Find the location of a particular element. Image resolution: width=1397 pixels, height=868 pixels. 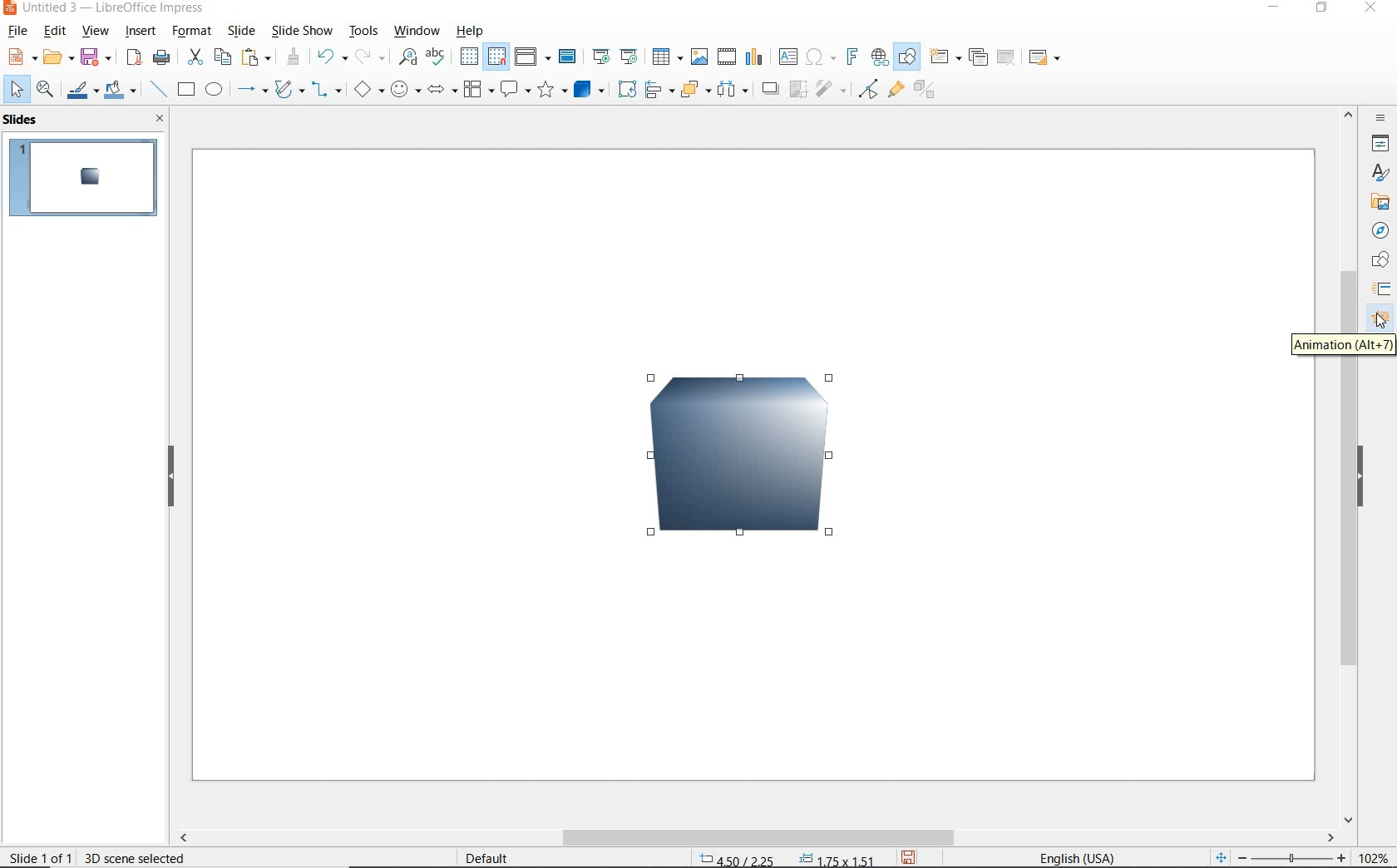

open is located at coordinates (61, 57).